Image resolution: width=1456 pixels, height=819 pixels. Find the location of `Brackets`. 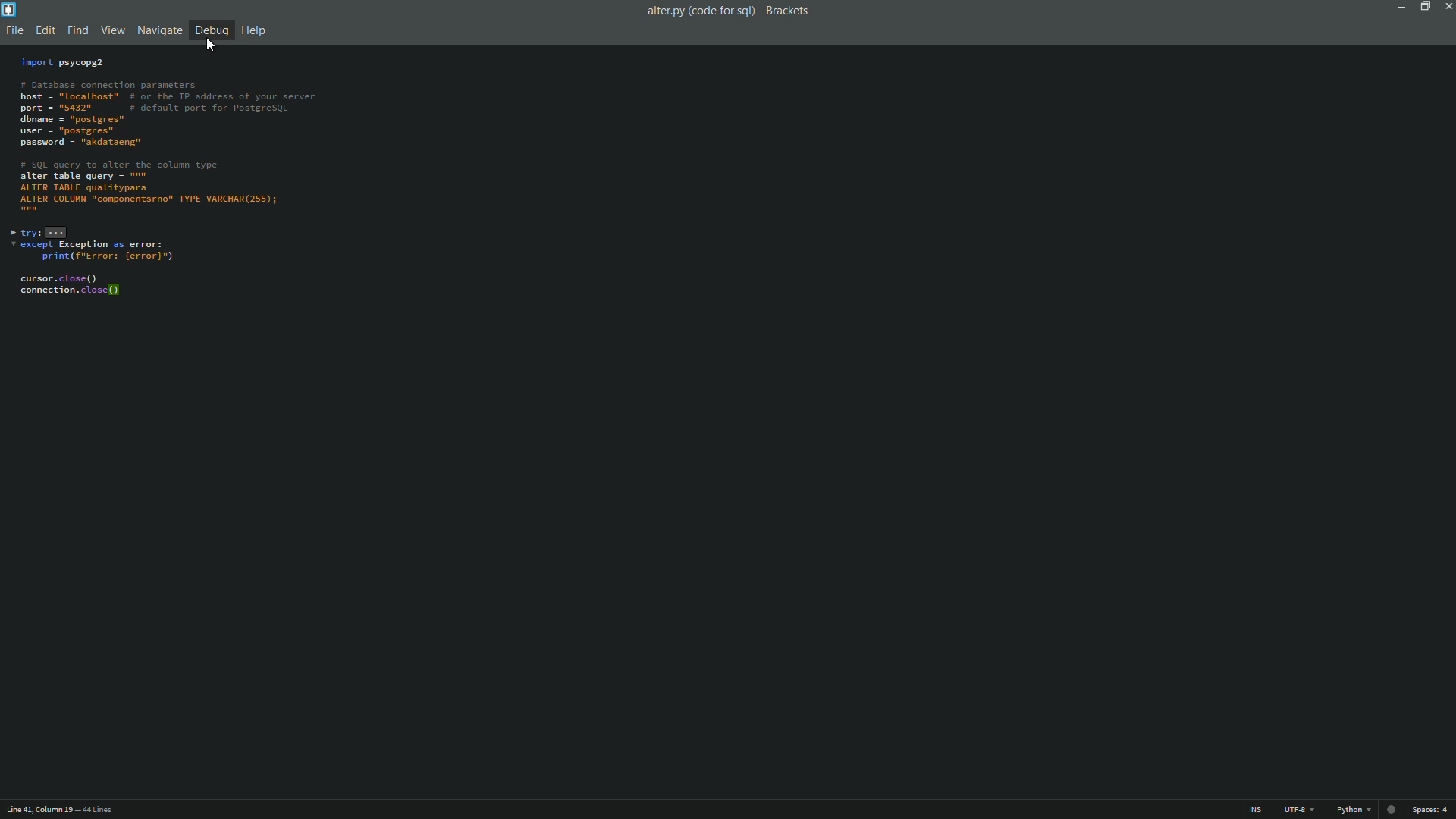

Brackets is located at coordinates (790, 11).